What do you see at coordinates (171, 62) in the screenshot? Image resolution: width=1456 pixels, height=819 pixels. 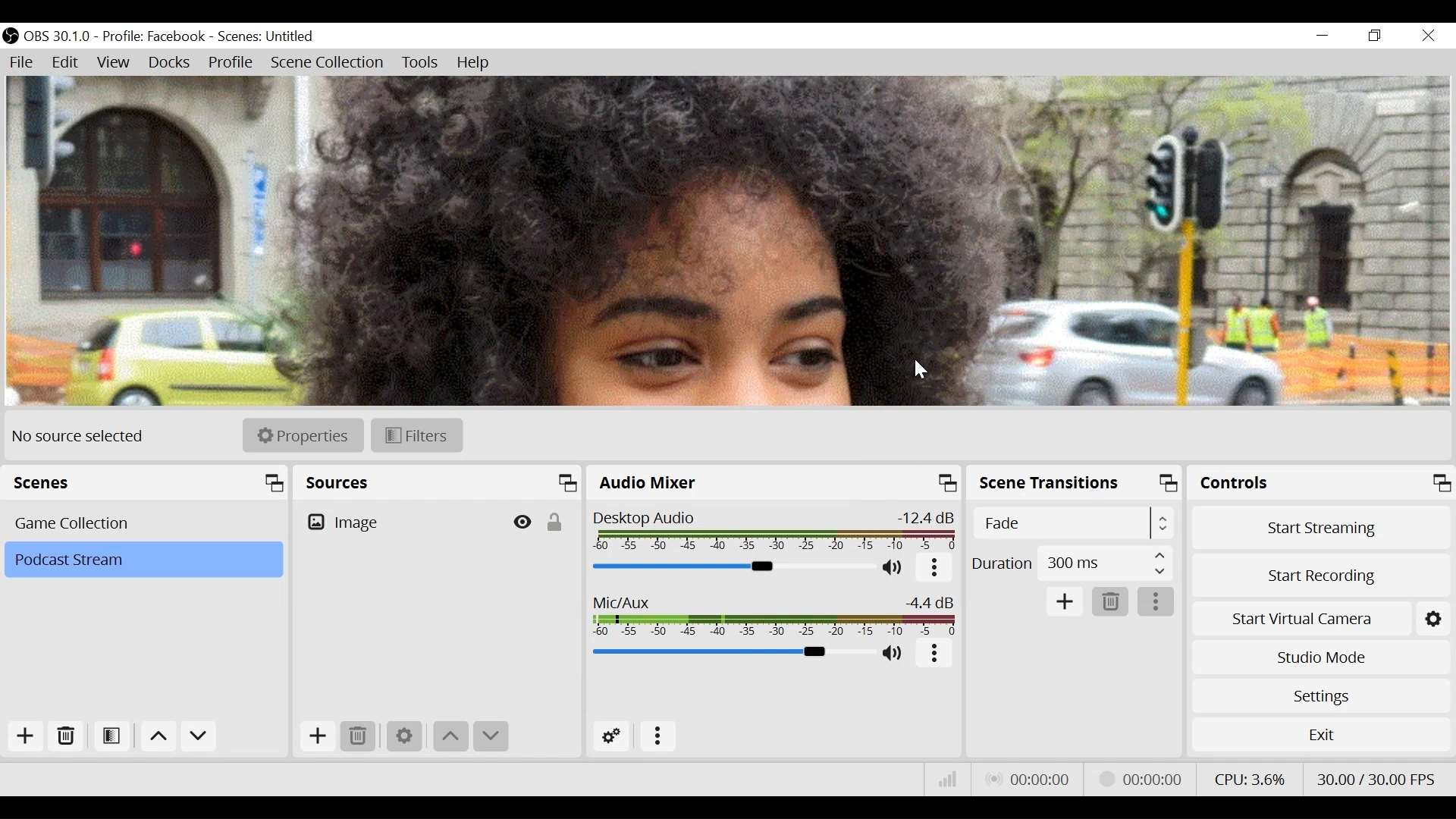 I see `Docks` at bounding box center [171, 62].